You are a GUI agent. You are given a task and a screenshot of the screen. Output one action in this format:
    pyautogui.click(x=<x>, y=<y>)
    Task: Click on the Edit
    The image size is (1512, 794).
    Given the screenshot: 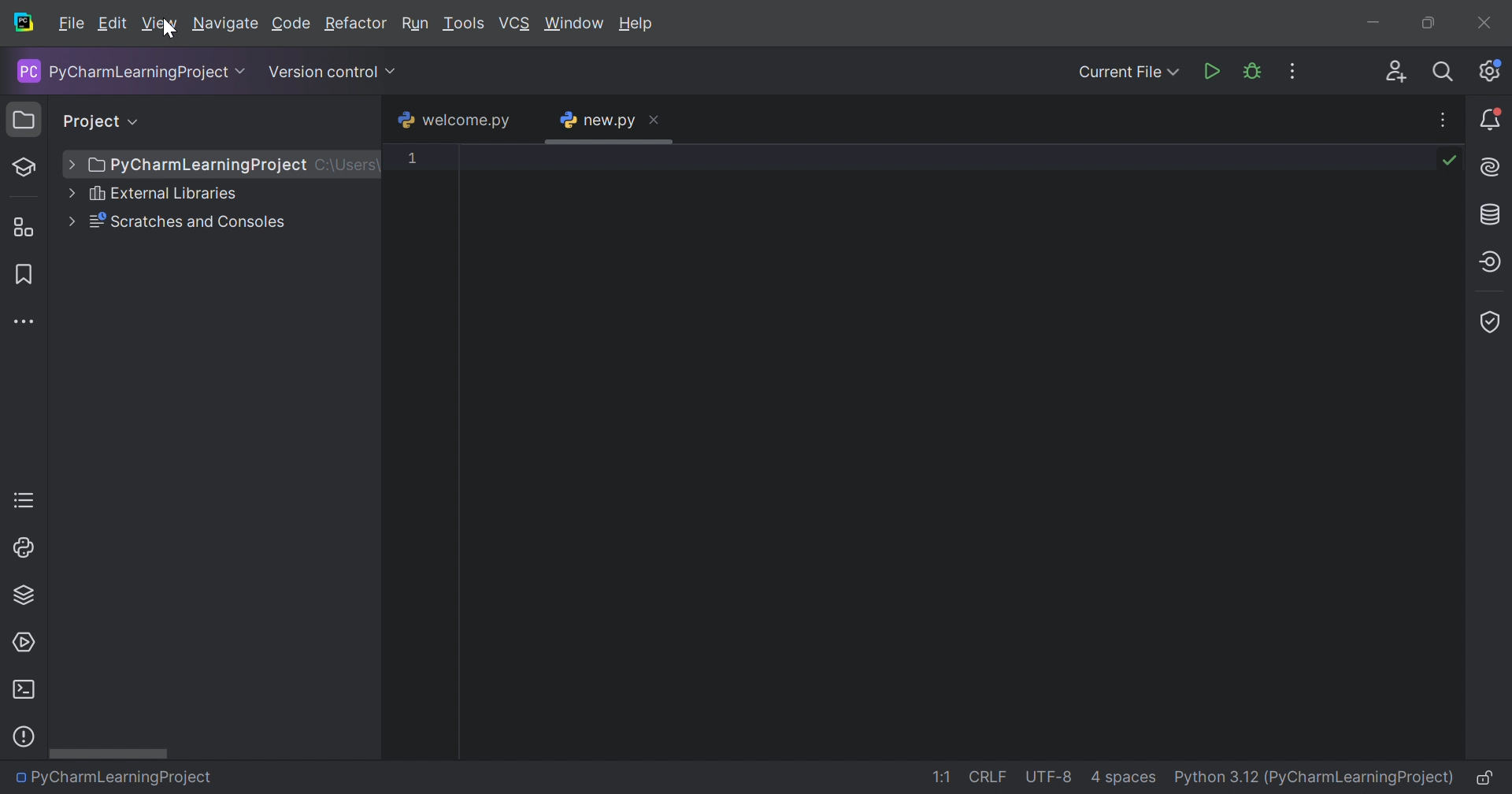 What is the action you would take?
    pyautogui.click(x=113, y=24)
    